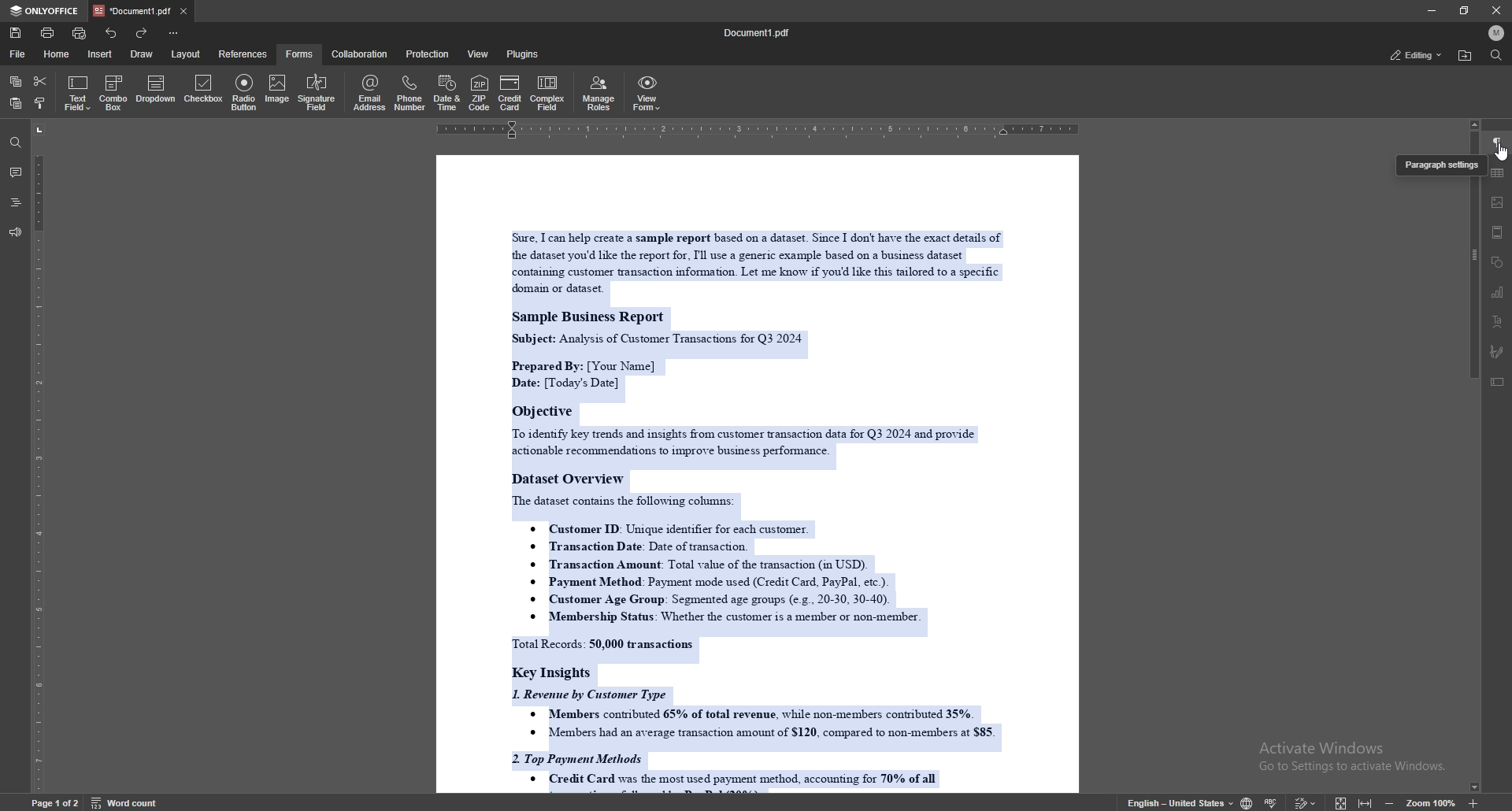  What do you see at coordinates (1366, 799) in the screenshot?
I see `fit to width` at bounding box center [1366, 799].